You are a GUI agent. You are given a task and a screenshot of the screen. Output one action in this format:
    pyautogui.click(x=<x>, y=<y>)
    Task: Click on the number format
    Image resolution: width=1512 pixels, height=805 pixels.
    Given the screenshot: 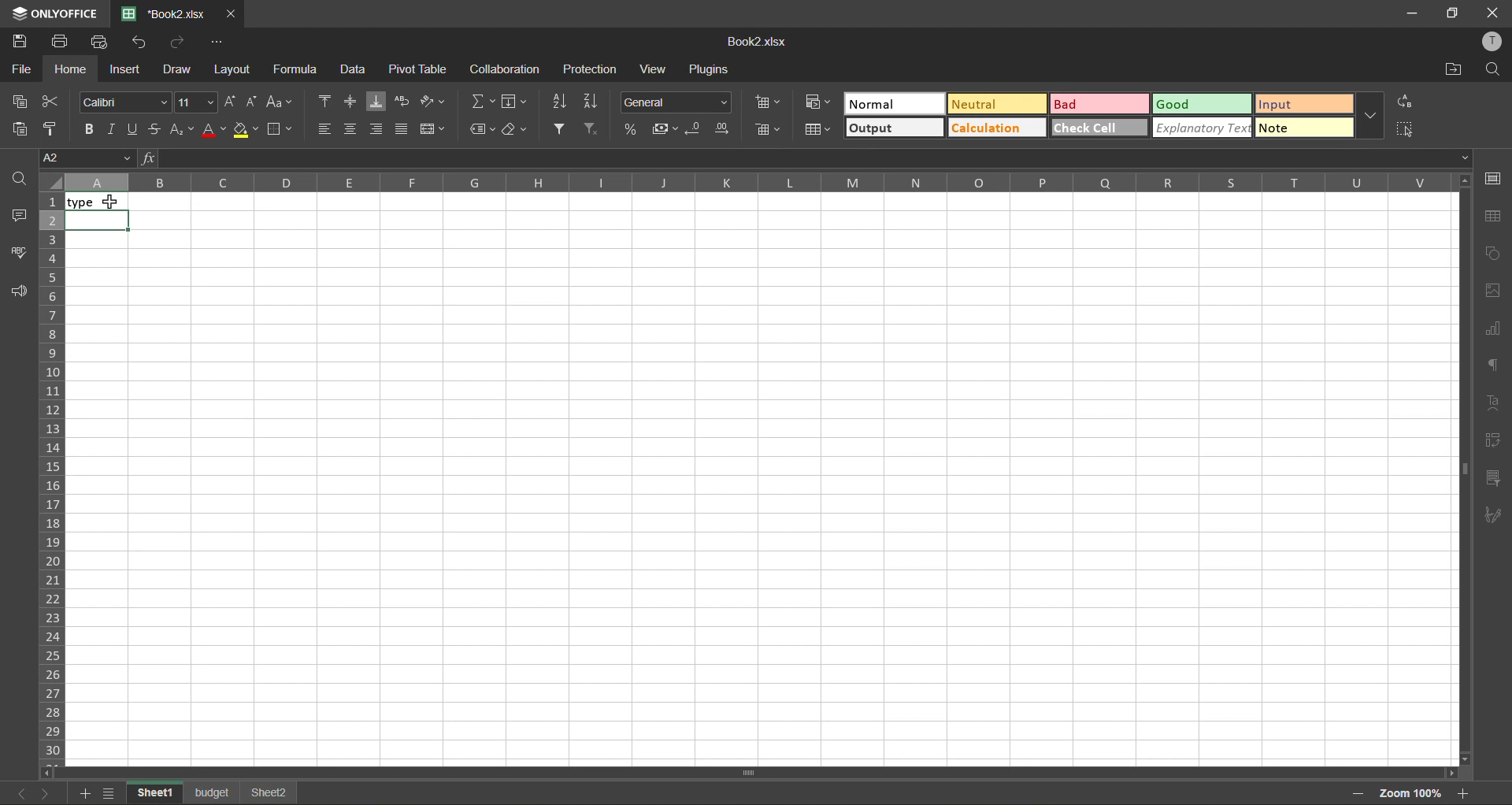 What is the action you would take?
    pyautogui.click(x=679, y=103)
    